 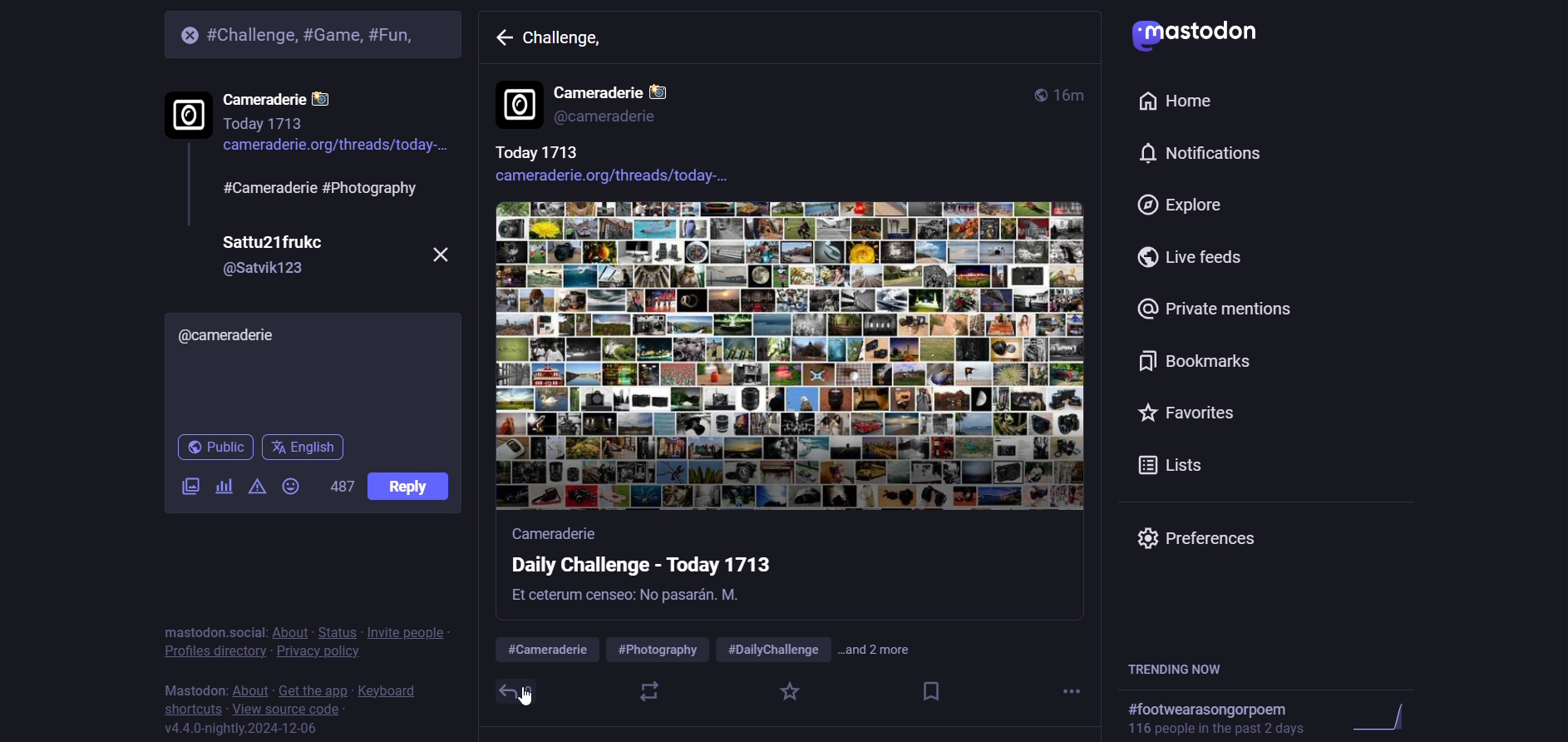 What do you see at coordinates (537, 156) in the screenshot?
I see `caption` at bounding box center [537, 156].